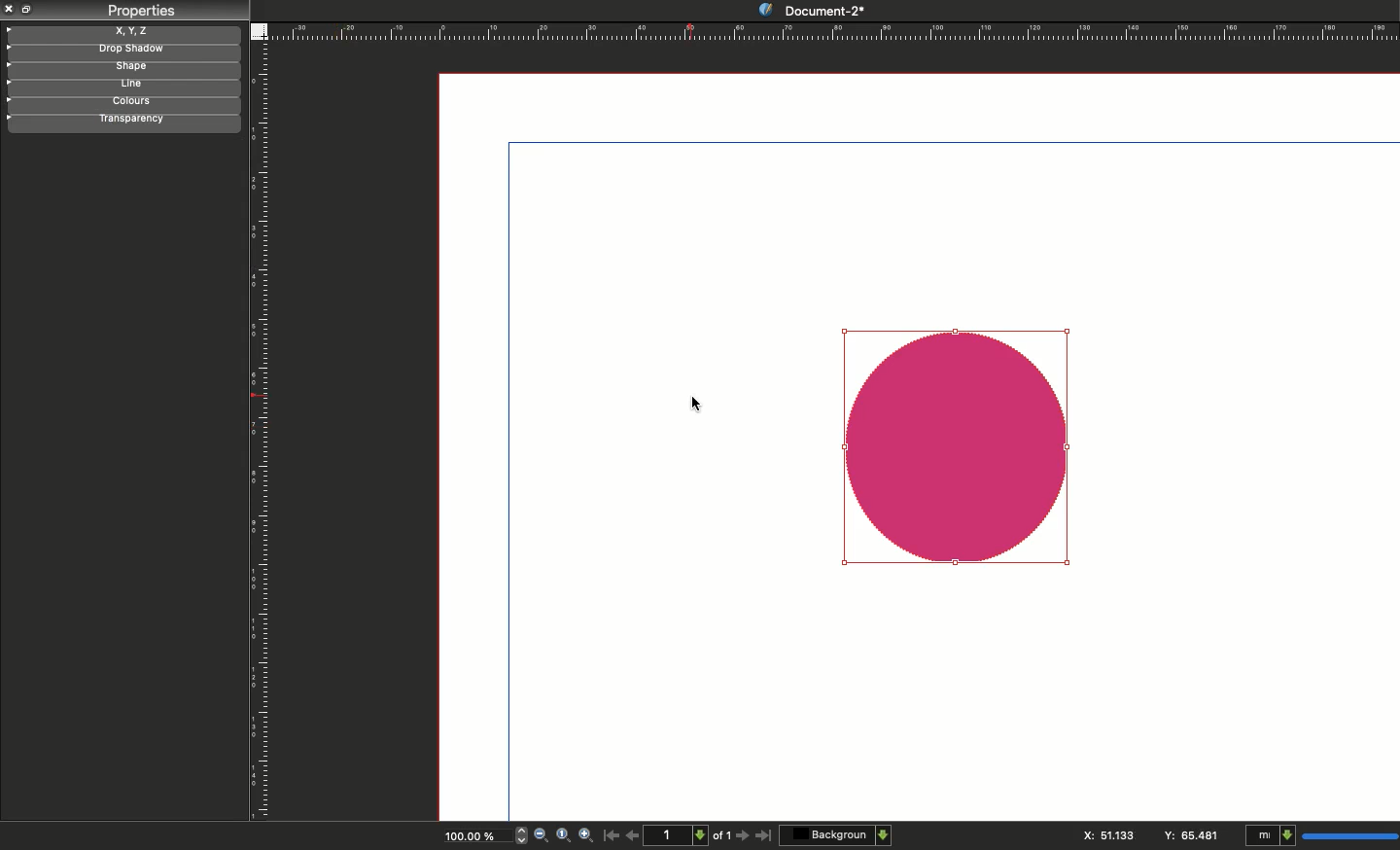  What do you see at coordinates (122, 69) in the screenshot?
I see `Shape` at bounding box center [122, 69].